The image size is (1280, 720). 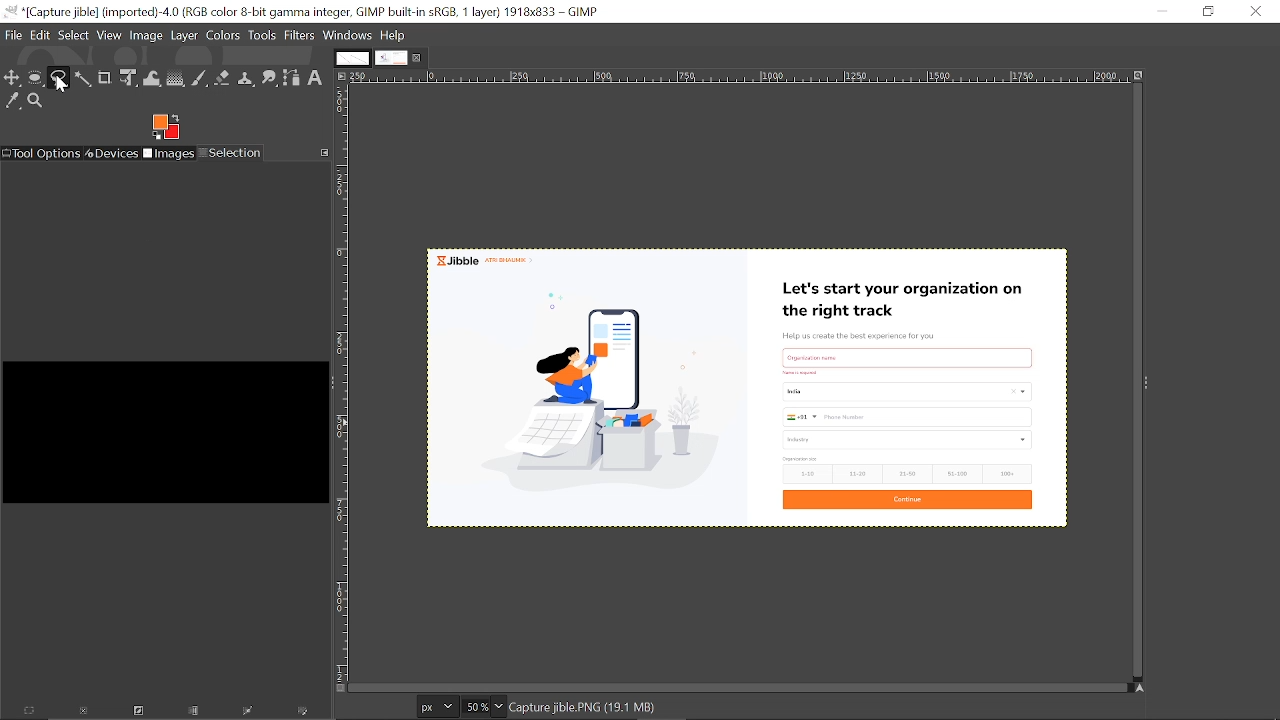 What do you see at coordinates (130, 79) in the screenshot?
I see `unified transform tool` at bounding box center [130, 79].